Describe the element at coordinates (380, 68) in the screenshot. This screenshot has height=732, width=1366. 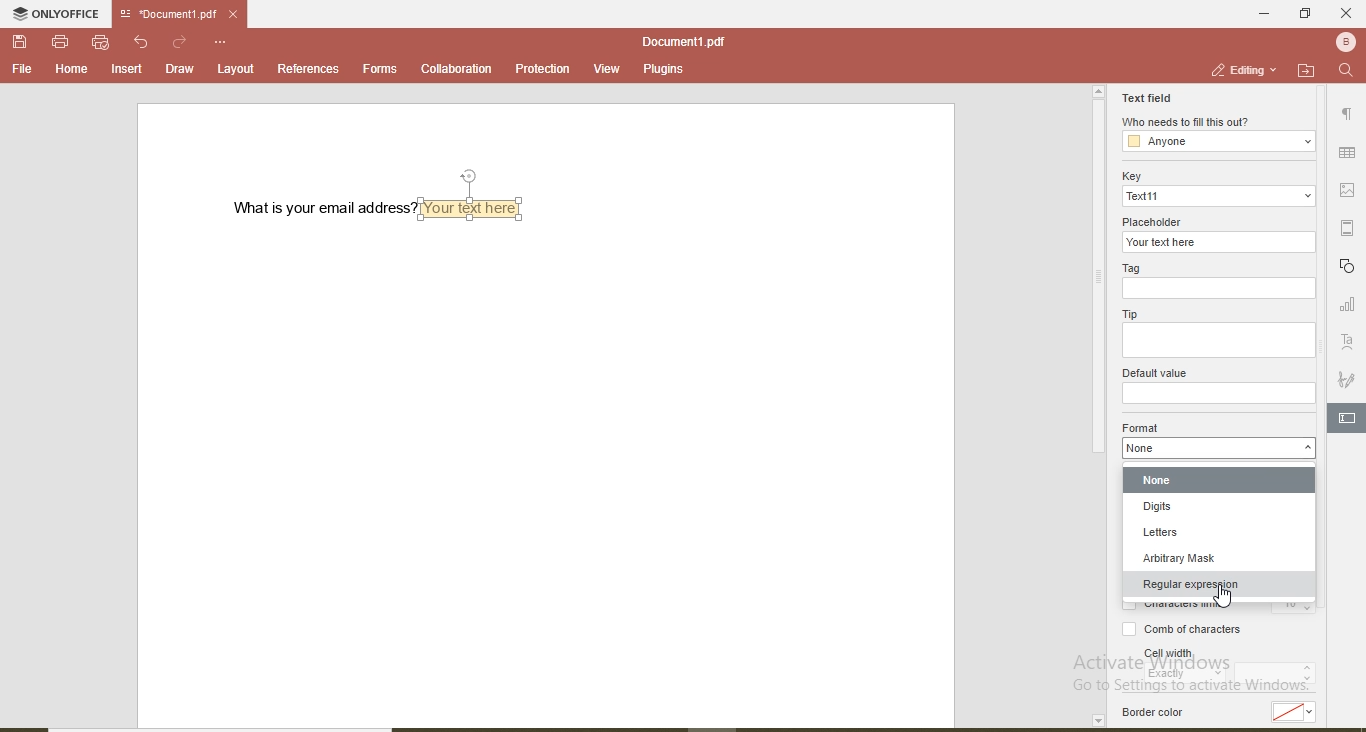
I see `forms` at that location.